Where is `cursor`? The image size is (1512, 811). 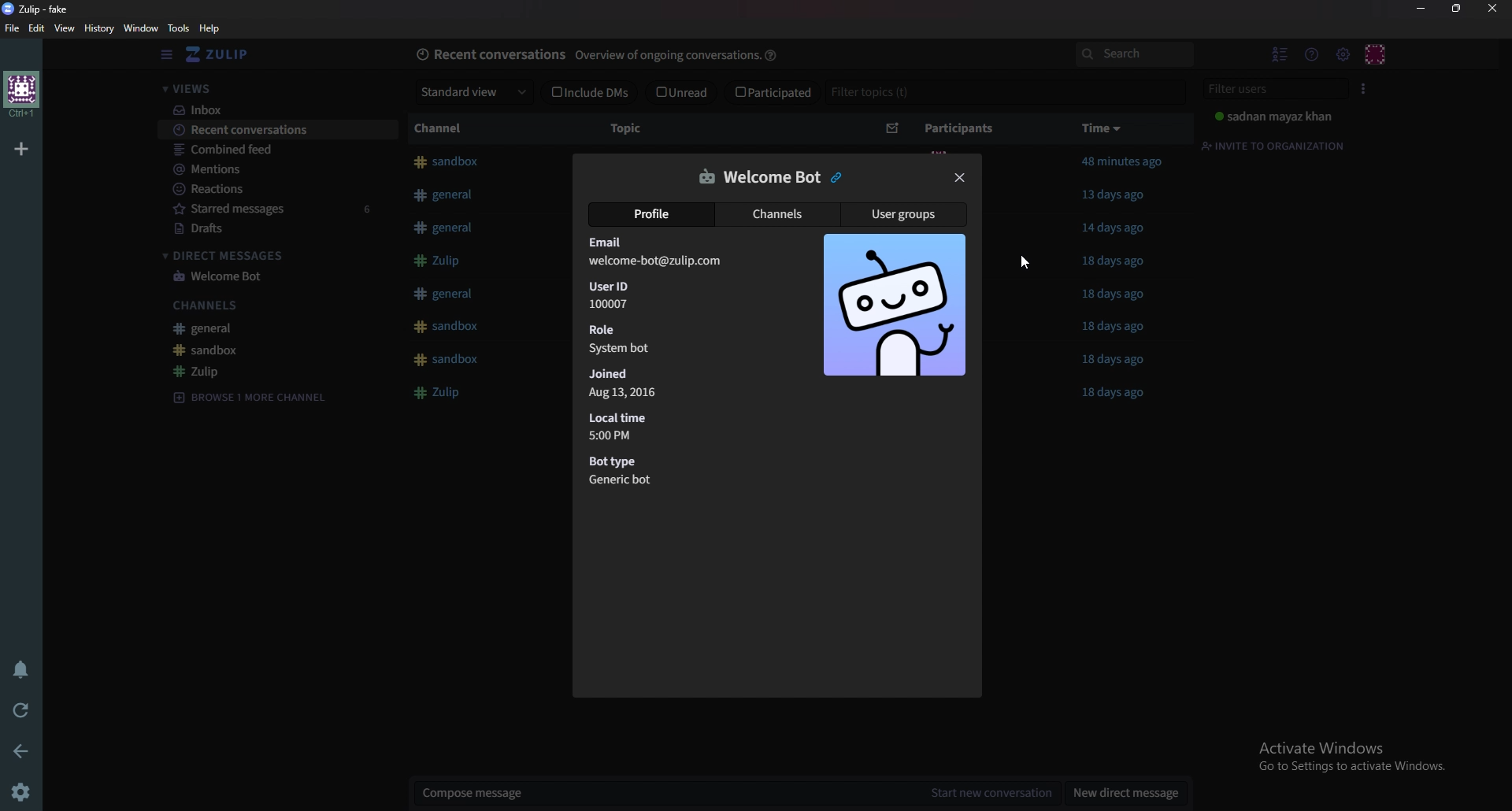 cursor is located at coordinates (1024, 261).